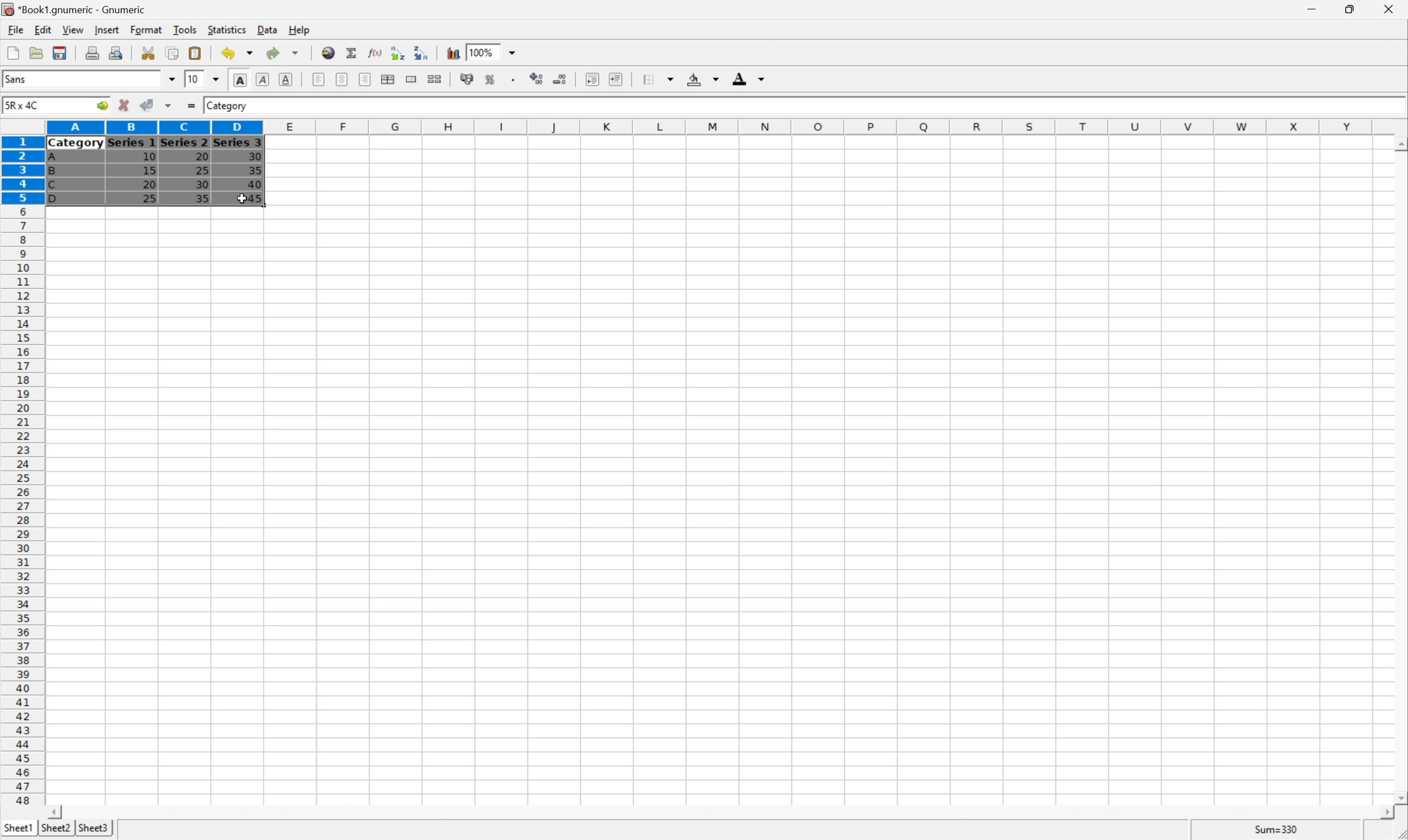 The height and width of the screenshot is (840, 1408). I want to click on Merge a range of cells, so click(410, 79).